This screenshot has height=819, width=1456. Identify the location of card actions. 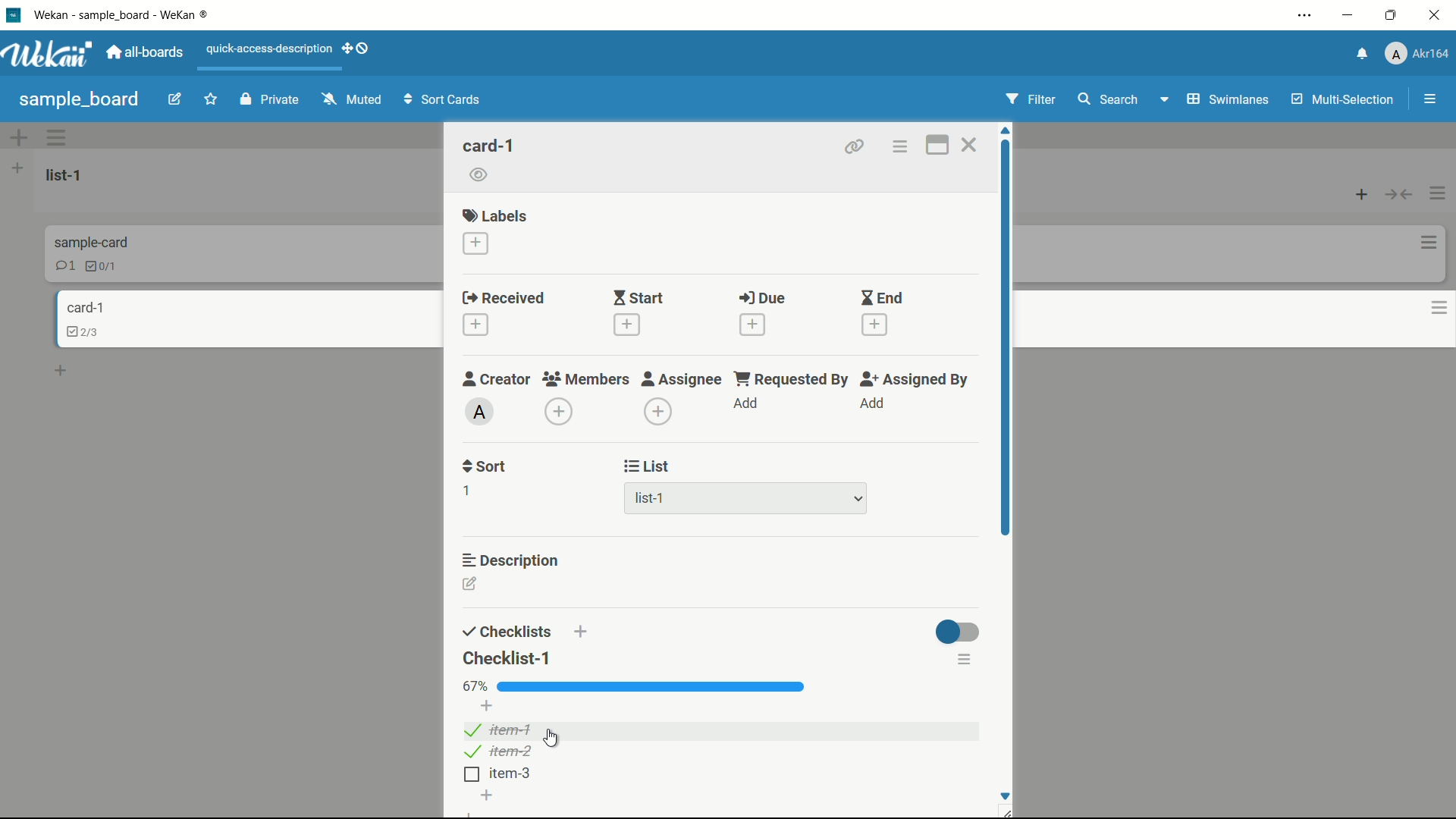
(900, 147).